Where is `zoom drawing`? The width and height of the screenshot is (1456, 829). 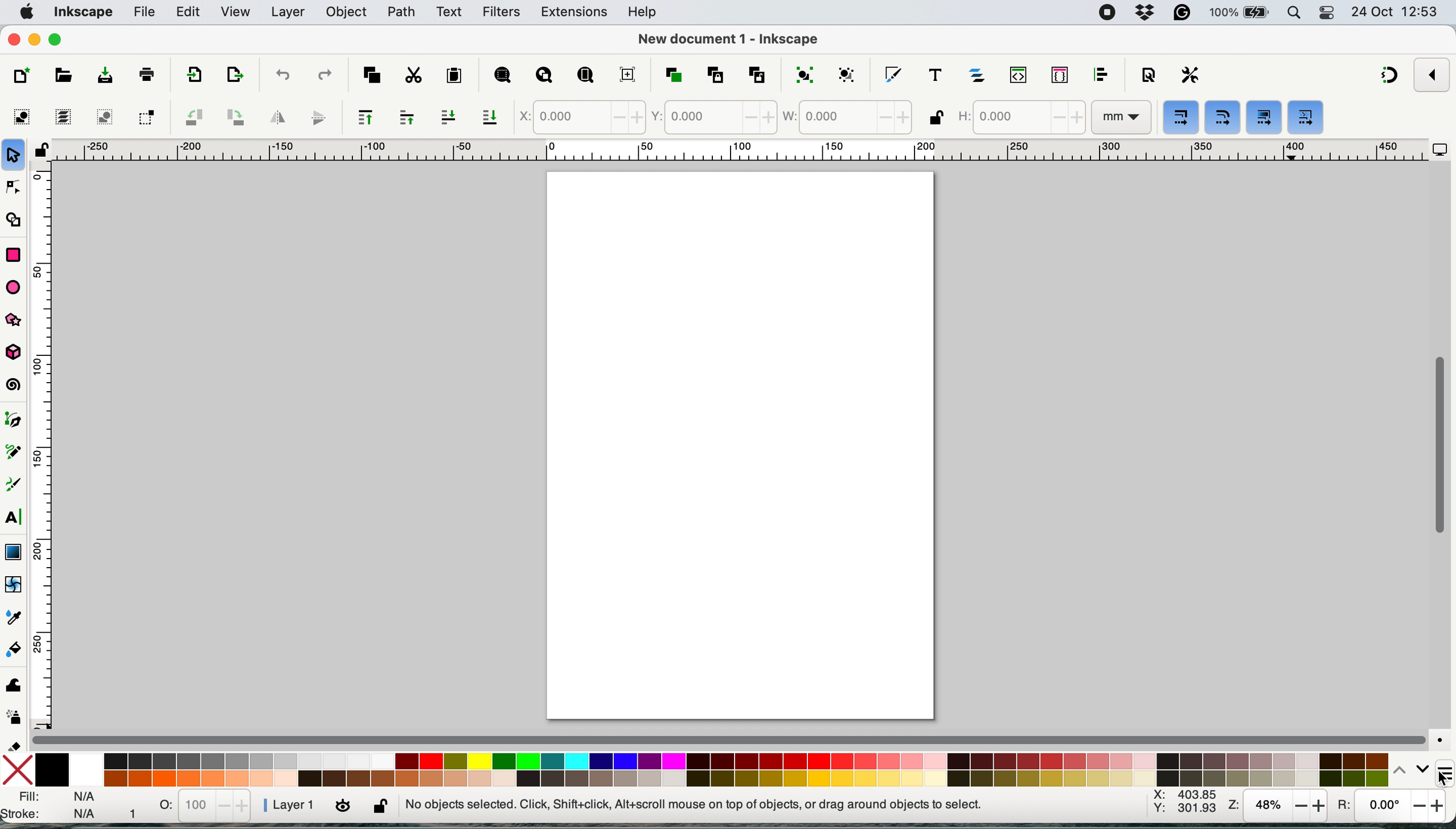 zoom drawing is located at coordinates (548, 75).